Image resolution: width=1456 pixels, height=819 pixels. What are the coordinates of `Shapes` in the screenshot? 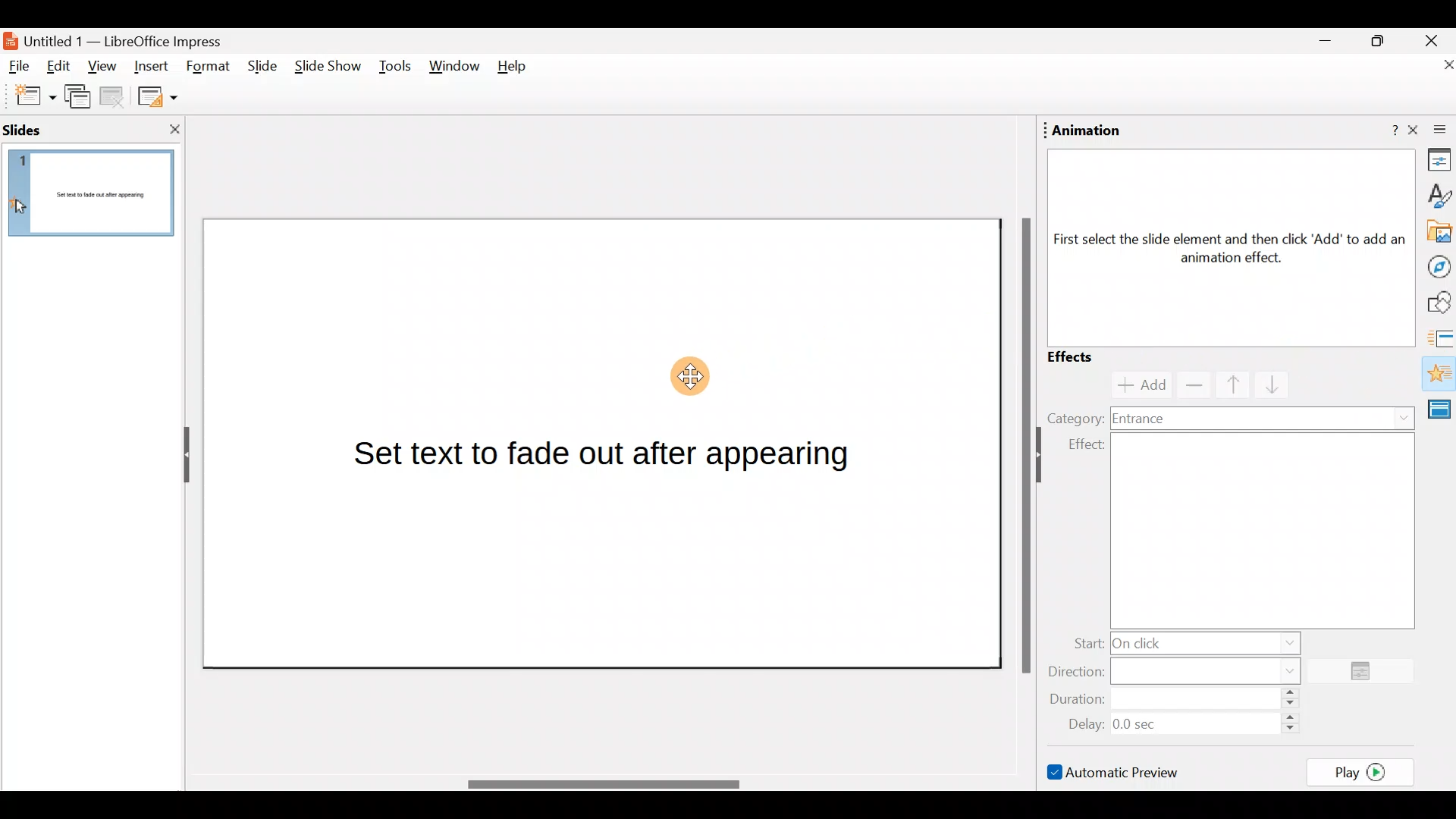 It's located at (1437, 303).